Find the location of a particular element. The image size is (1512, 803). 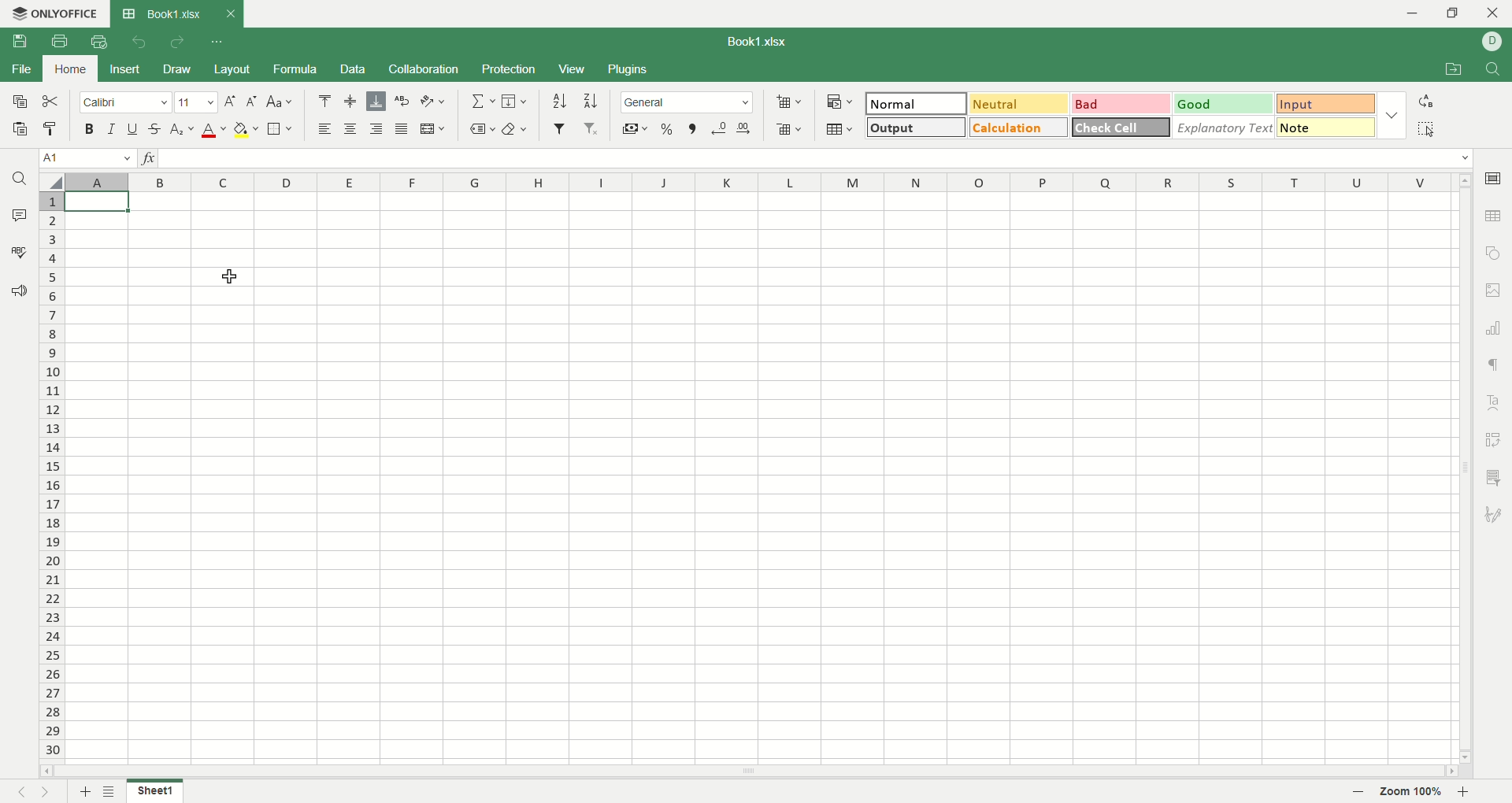

plugins is located at coordinates (630, 70).